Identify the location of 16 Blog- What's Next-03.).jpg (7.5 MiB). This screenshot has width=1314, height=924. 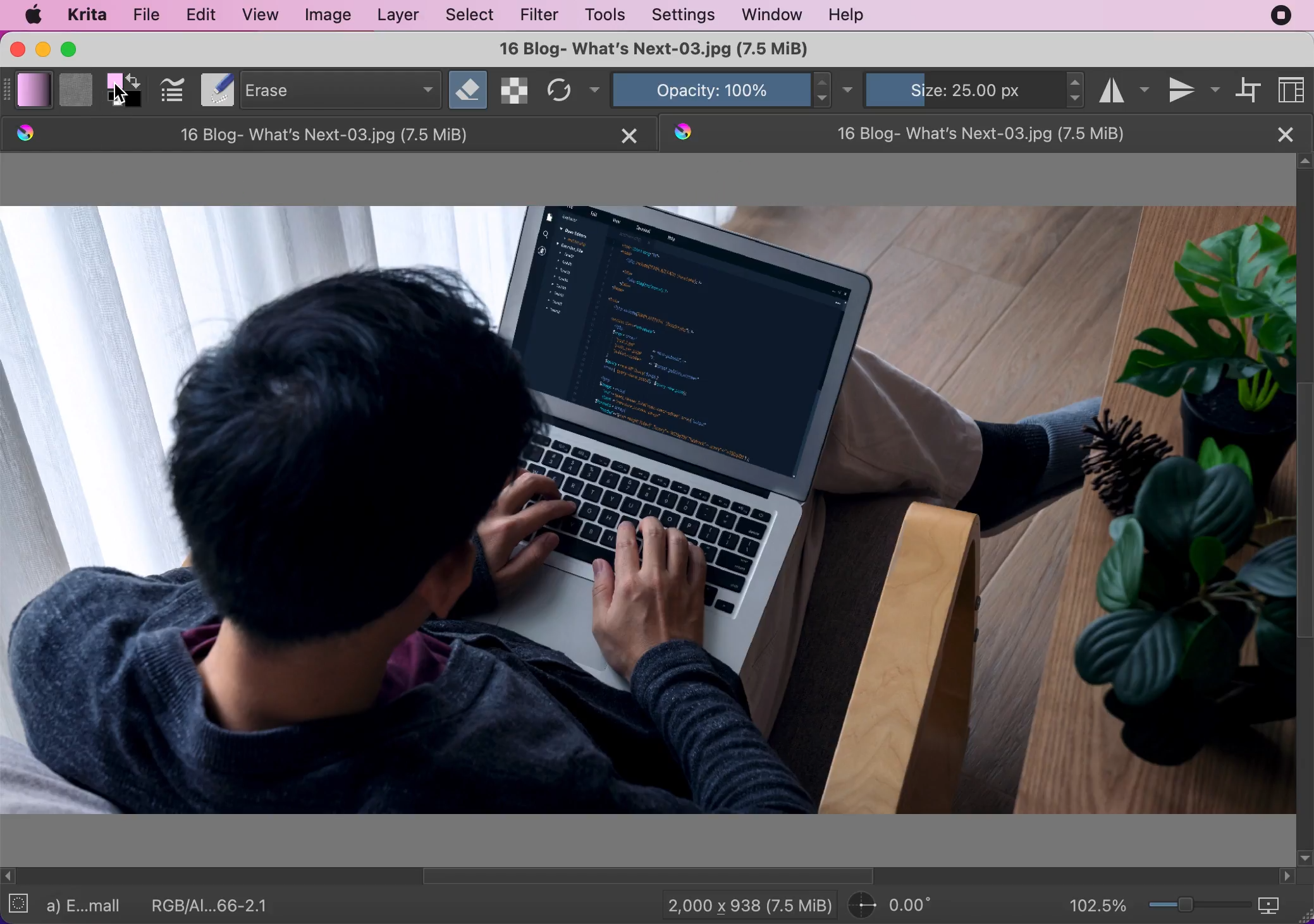
(669, 49).